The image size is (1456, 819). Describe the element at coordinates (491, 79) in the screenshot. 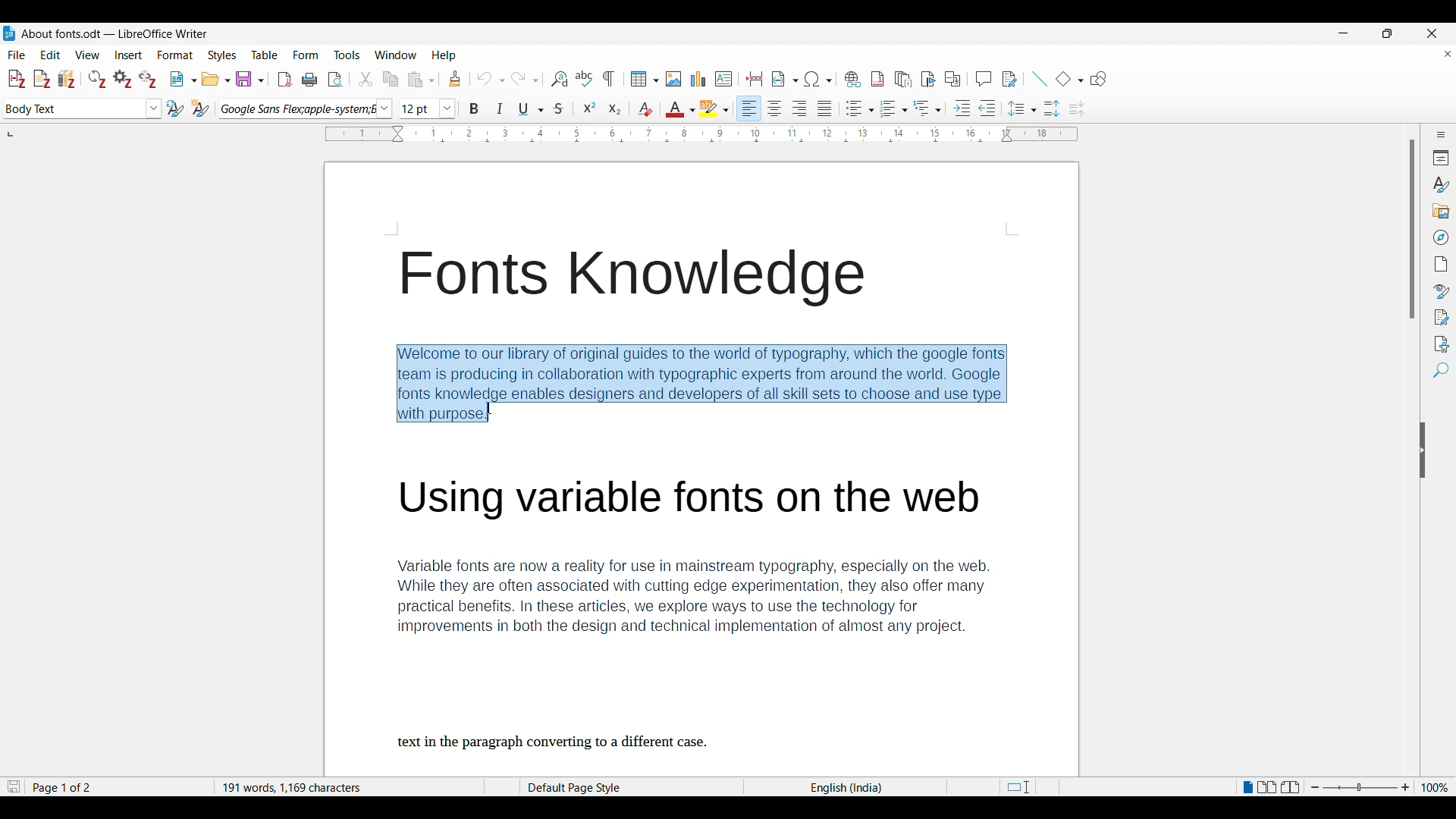

I see `Undo` at that location.